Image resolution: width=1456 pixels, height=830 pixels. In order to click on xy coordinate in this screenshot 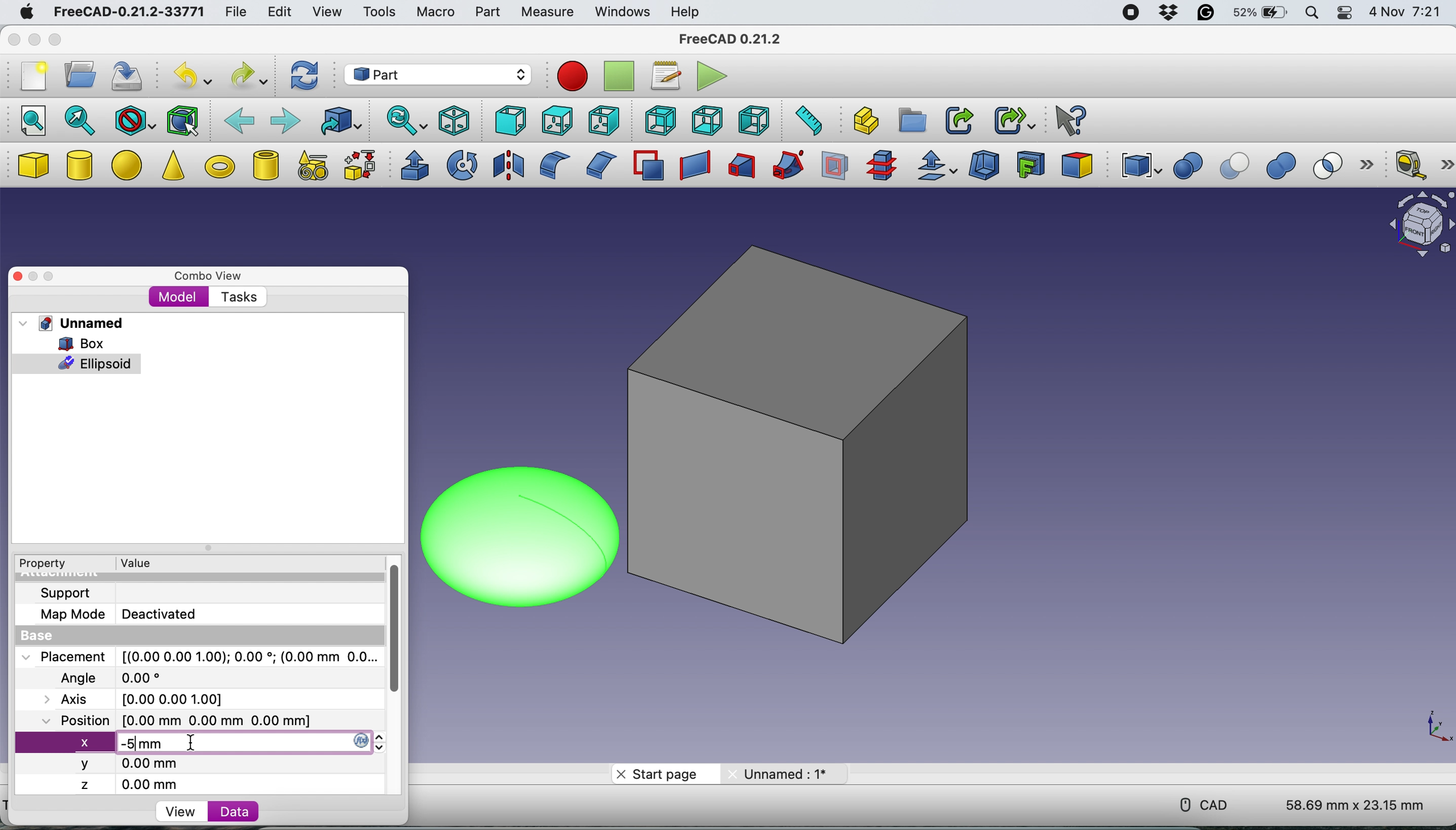, I will do `click(1431, 731)`.